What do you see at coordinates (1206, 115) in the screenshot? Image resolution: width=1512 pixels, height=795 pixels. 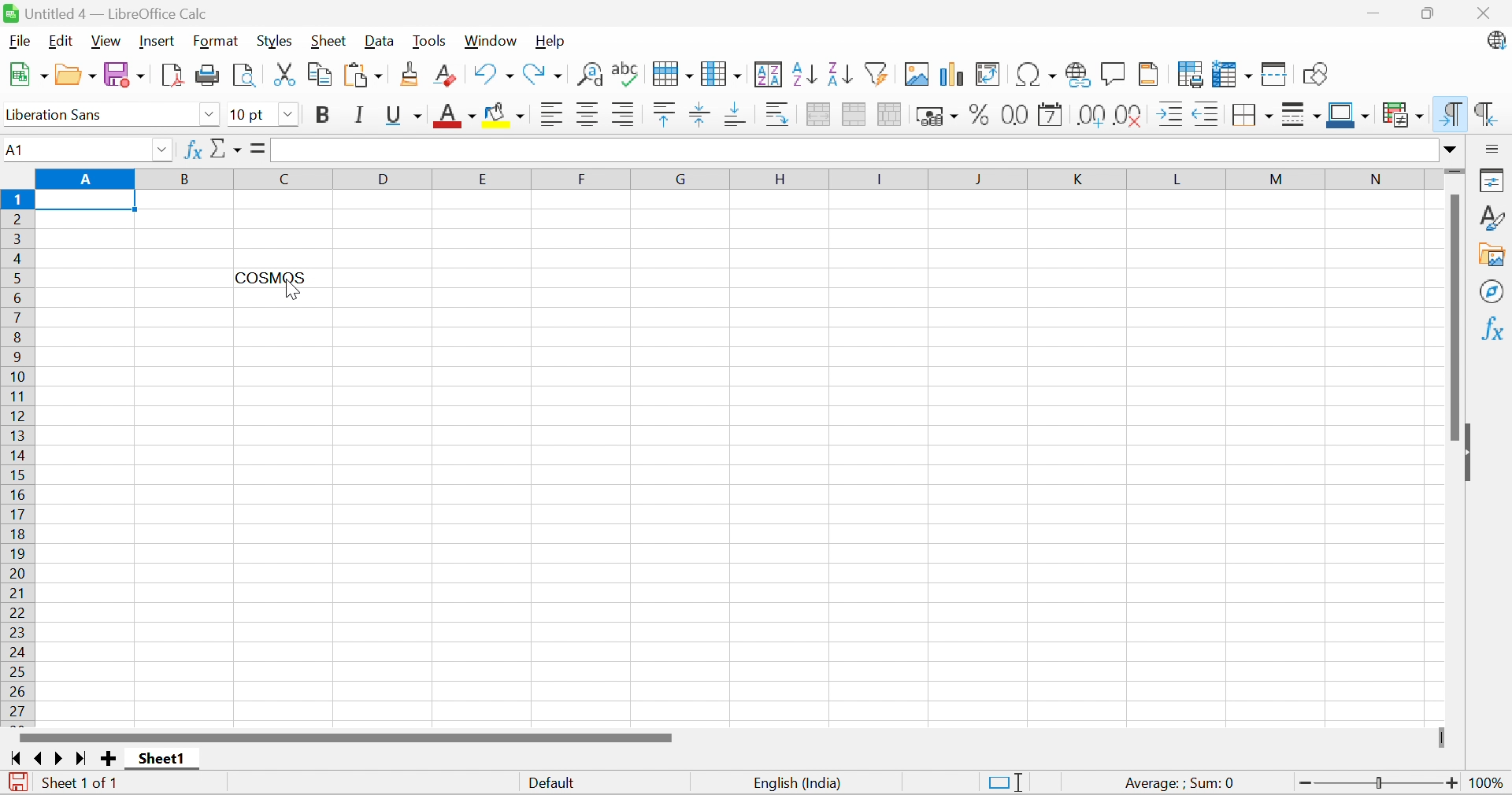 I see `Decrease Indent` at bounding box center [1206, 115].